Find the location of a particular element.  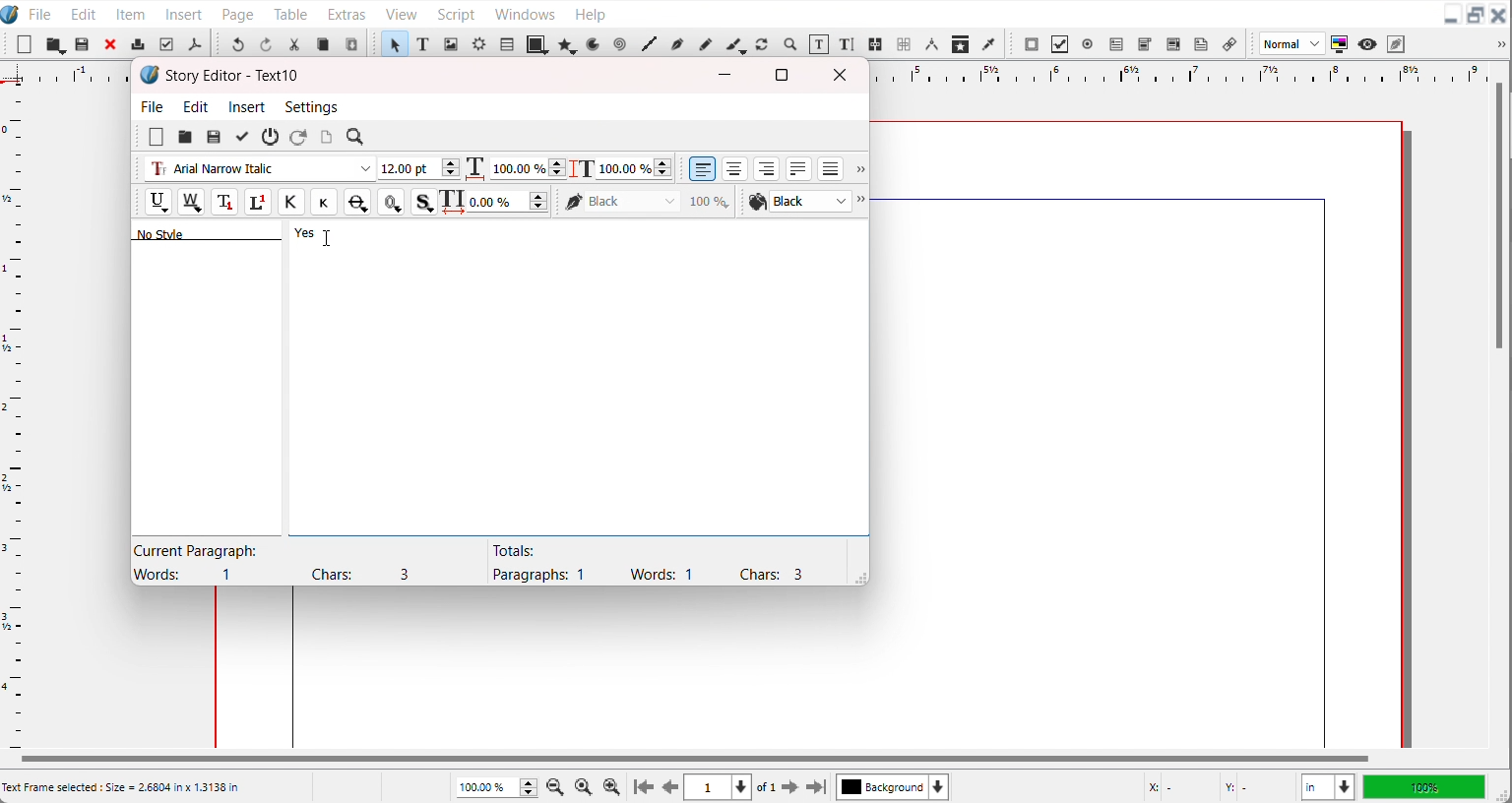

Black is located at coordinates (648, 201).